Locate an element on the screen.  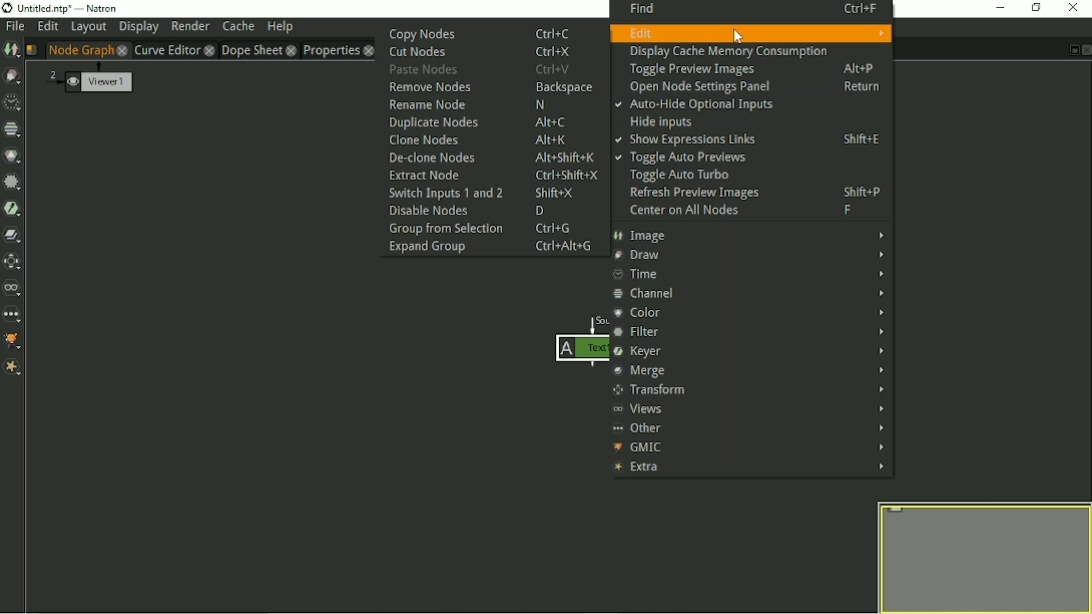
Draw is located at coordinates (14, 76).